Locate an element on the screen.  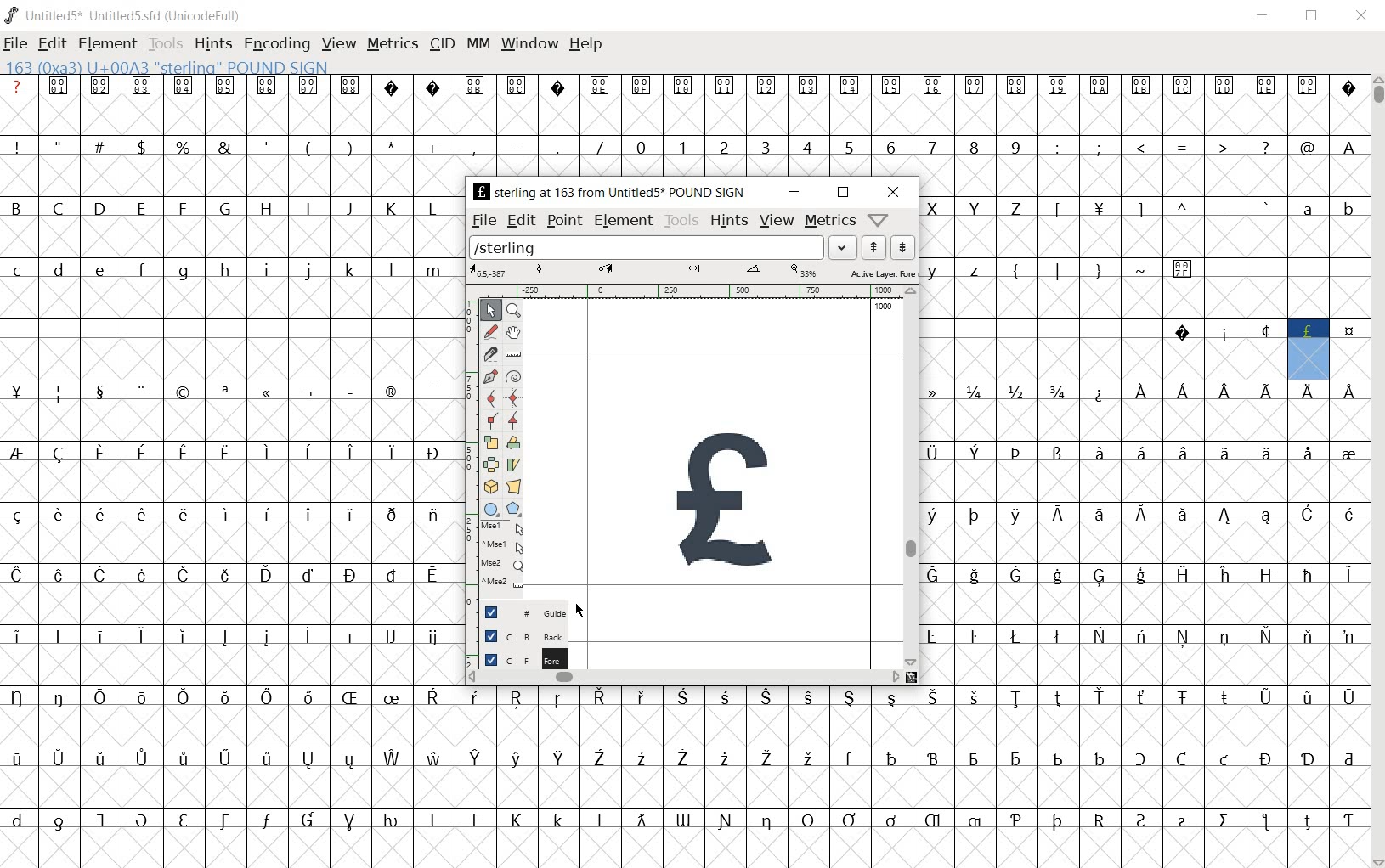
Symbol is located at coordinates (60, 820).